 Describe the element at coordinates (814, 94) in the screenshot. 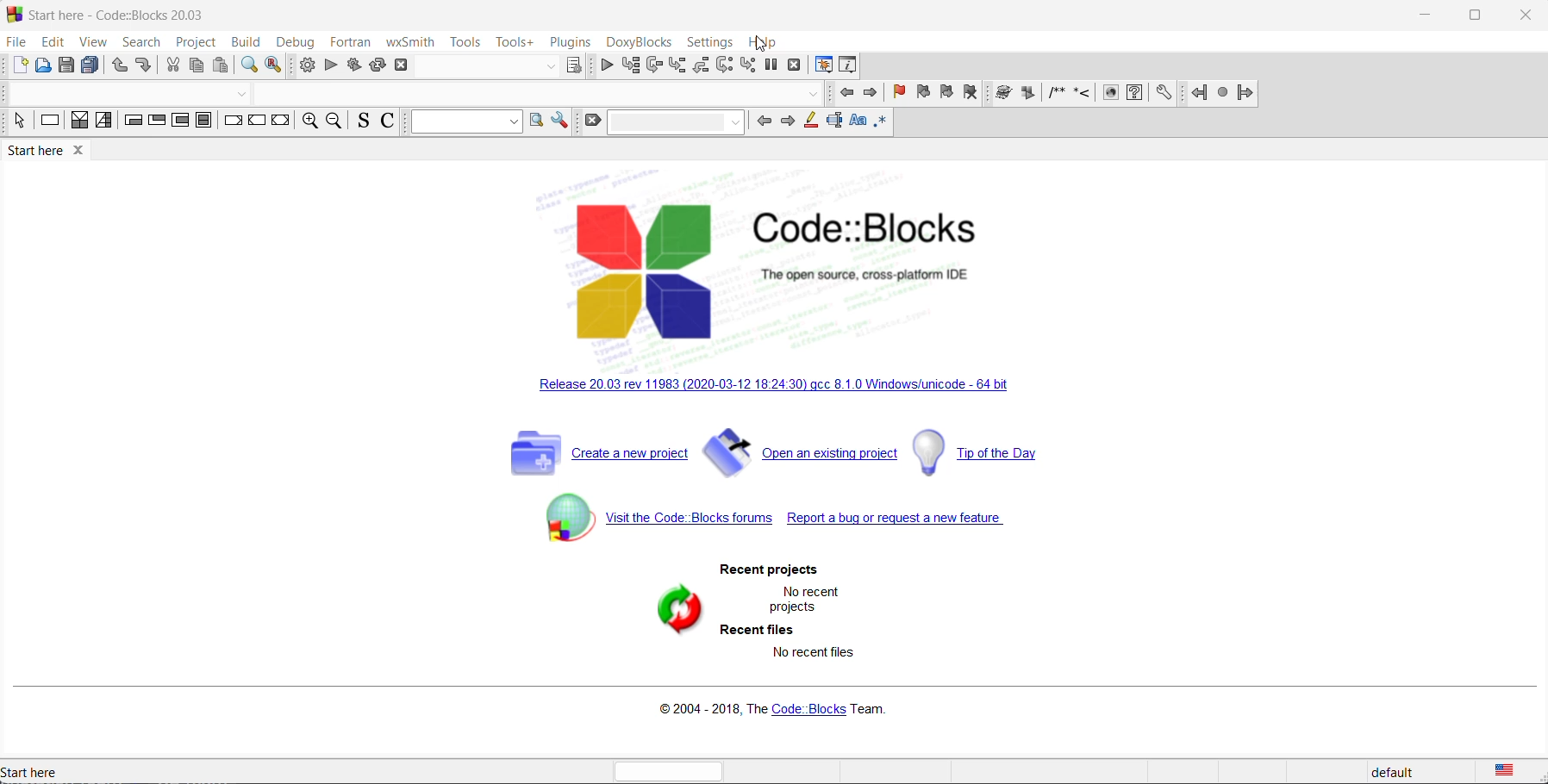

I see `button` at that location.